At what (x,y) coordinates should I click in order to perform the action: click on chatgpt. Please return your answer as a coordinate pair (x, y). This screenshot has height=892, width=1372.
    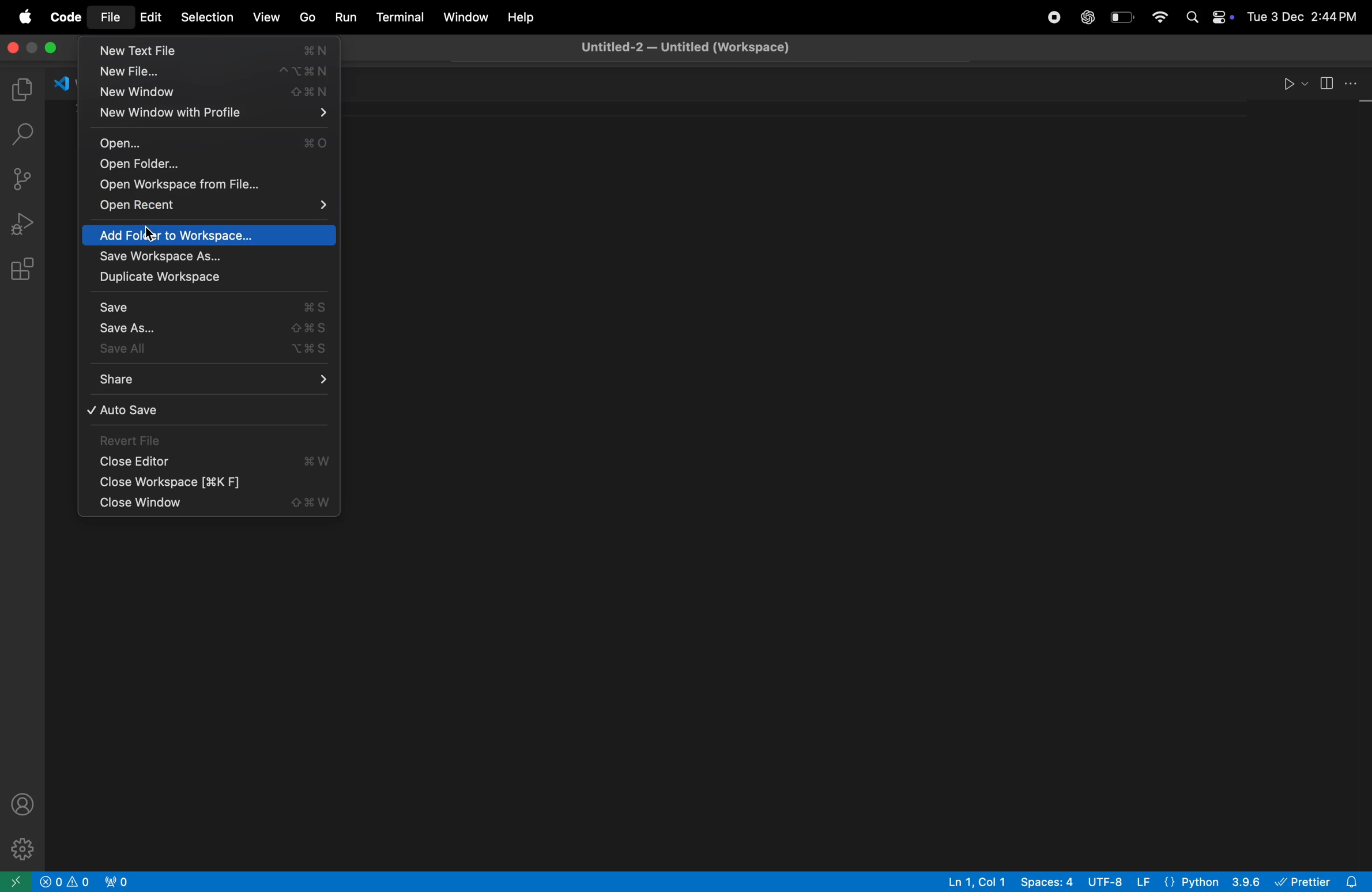
    Looking at the image, I should click on (1088, 18).